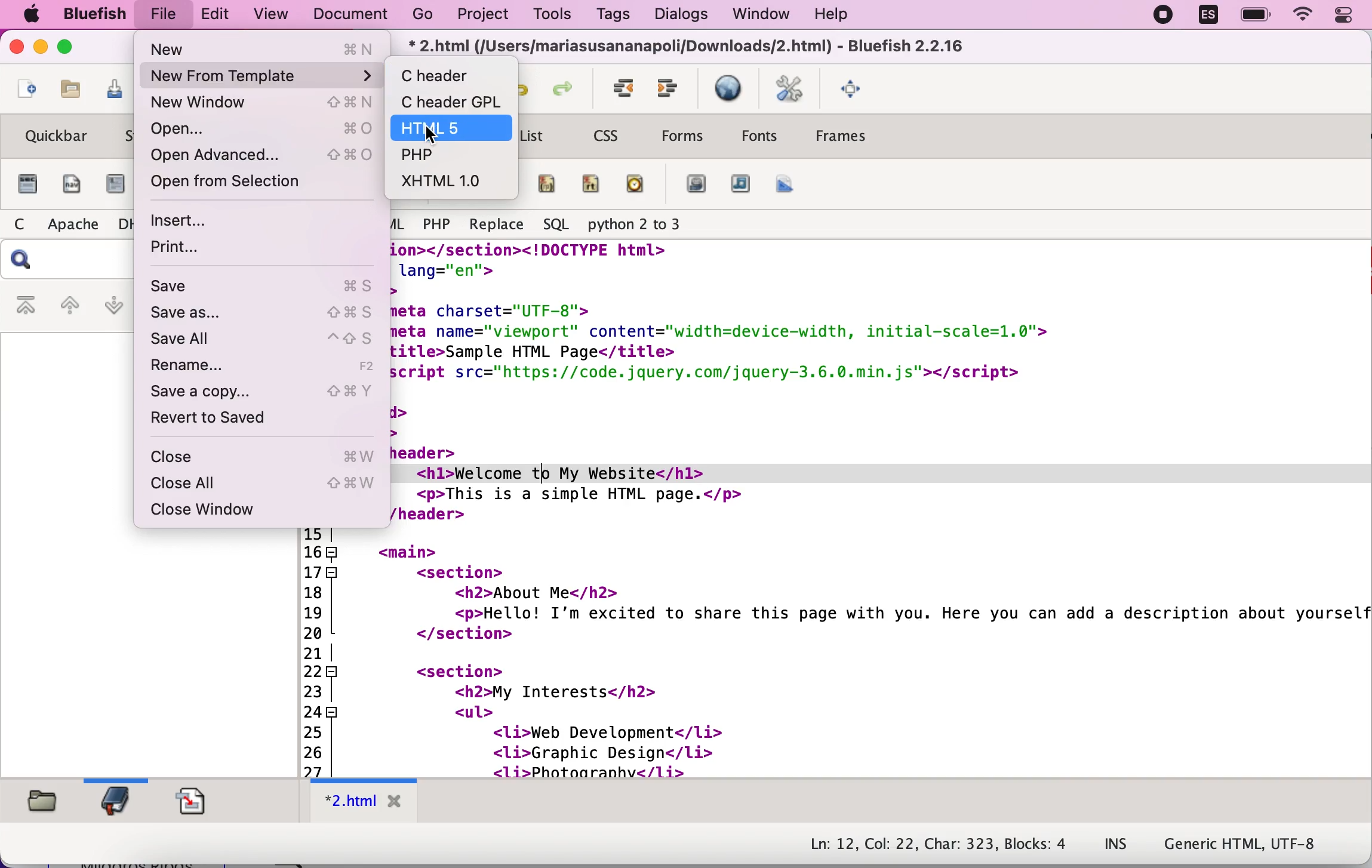  Describe the element at coordinates (20, 223) in the screenshot. I see `C` at that location.